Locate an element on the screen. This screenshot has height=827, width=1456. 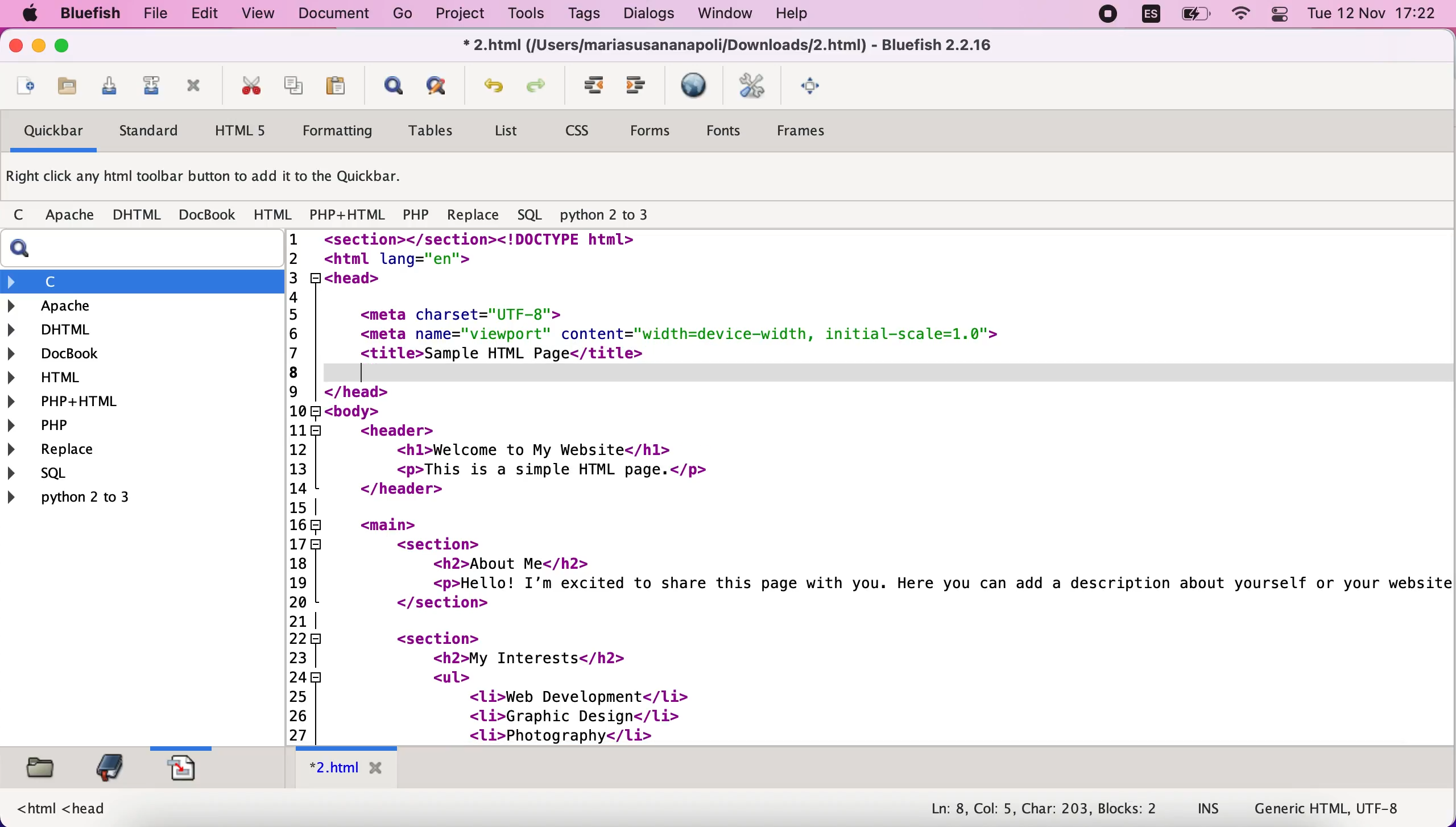
maximize is located at coordinates (70, 48).